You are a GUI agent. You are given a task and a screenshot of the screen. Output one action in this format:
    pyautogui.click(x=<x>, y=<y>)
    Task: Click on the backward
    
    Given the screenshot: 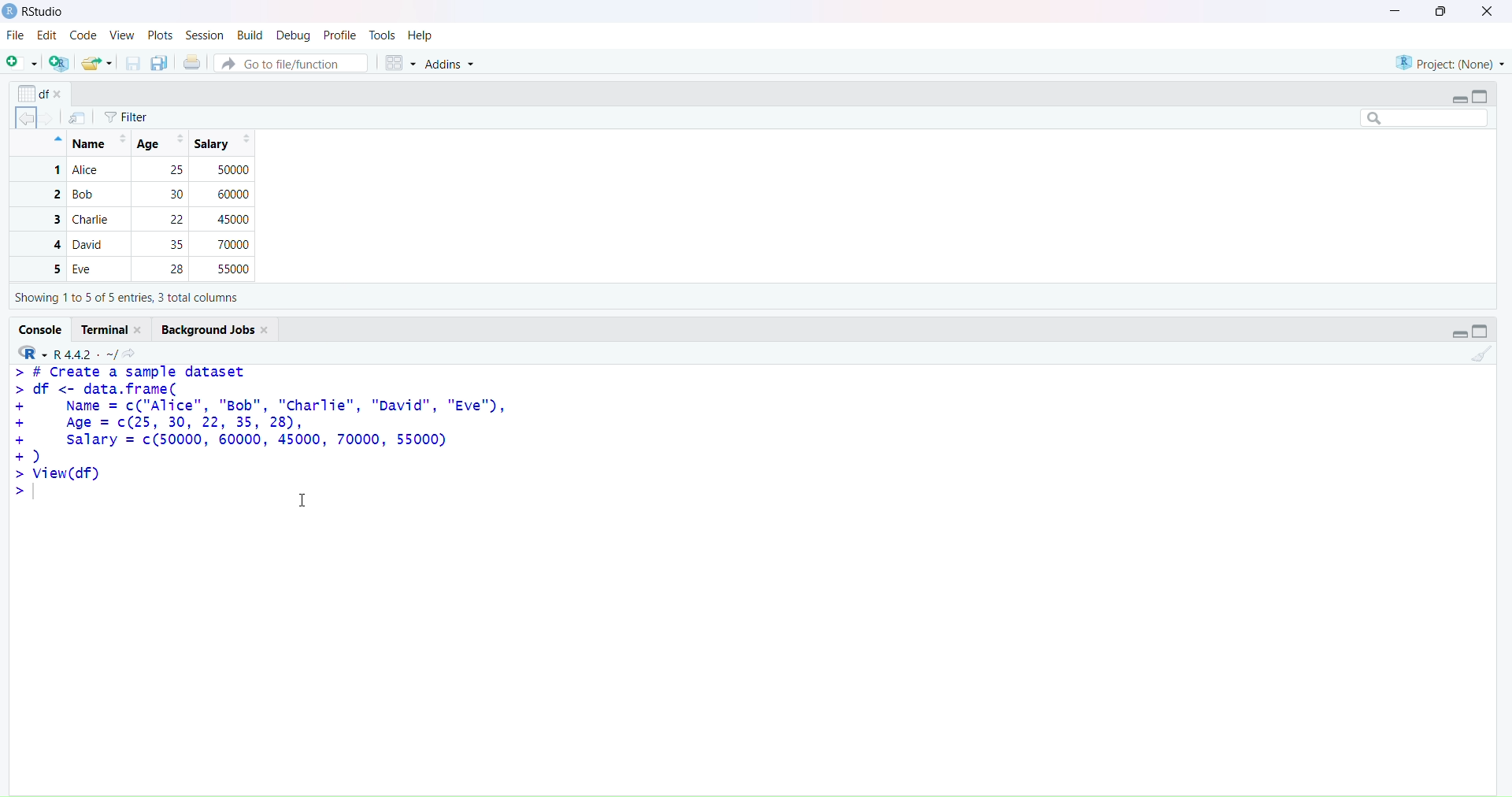 What is the action you would take?
    pyautogui.click(x=18, y=118)
    